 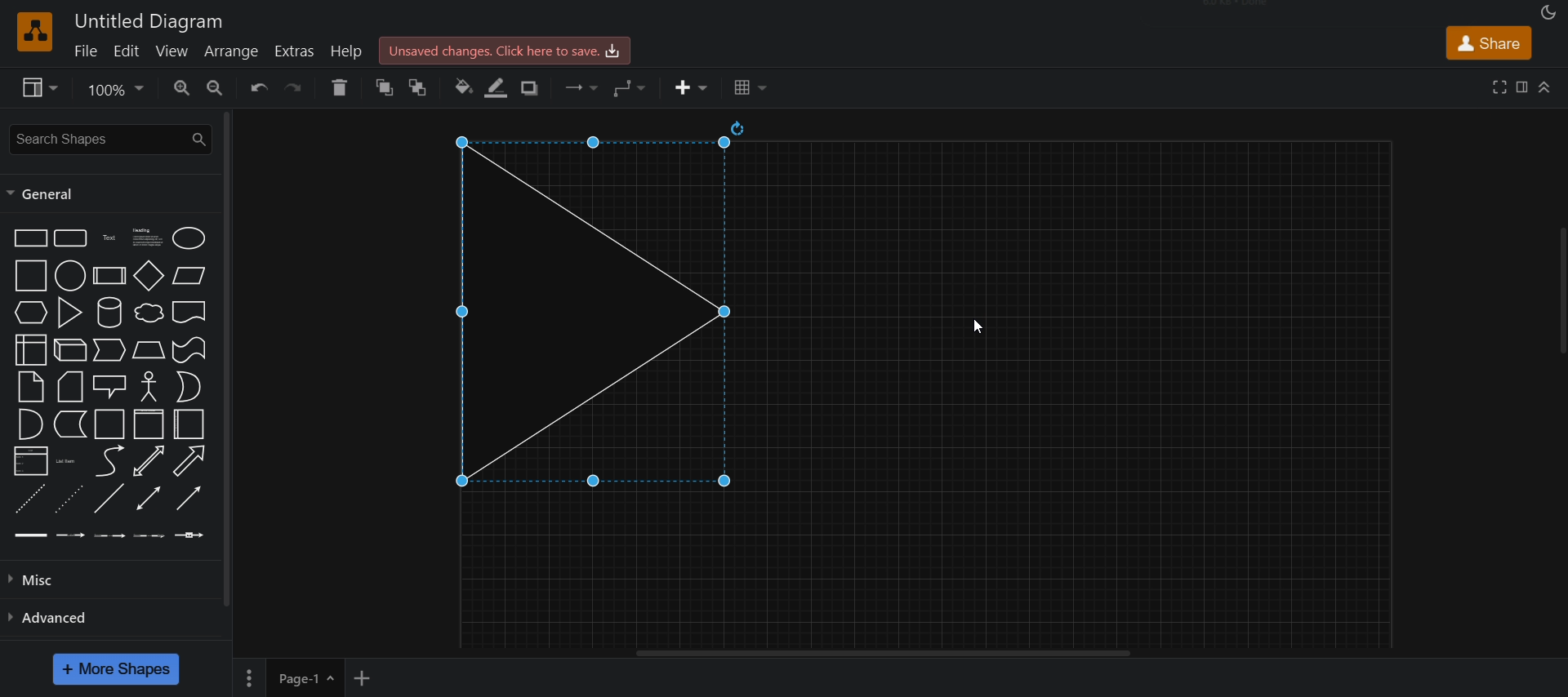 I want to click on line color, so click(x=498, y=87).